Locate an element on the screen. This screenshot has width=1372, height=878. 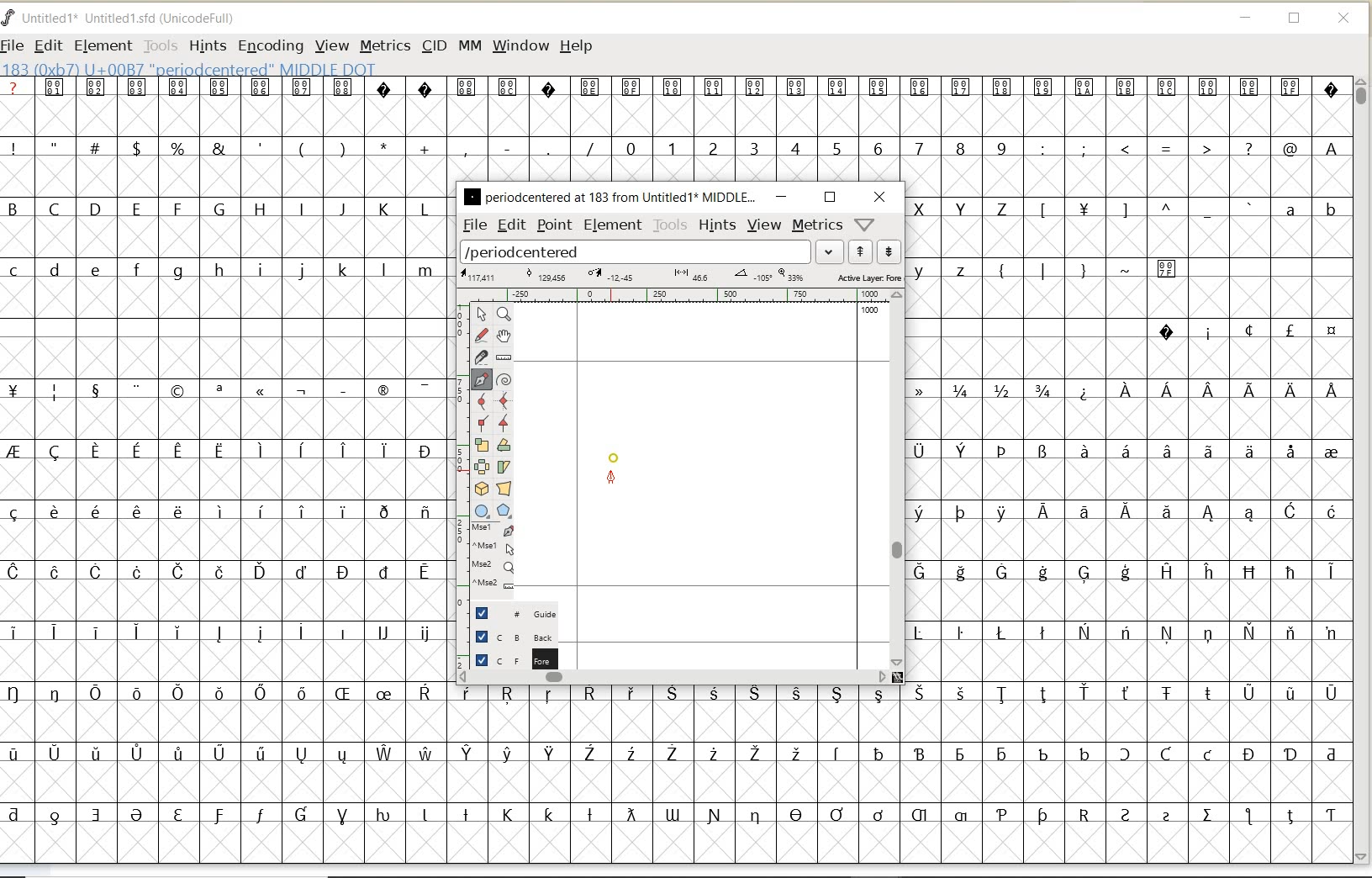
1000 is located at coordinates (868, 312).